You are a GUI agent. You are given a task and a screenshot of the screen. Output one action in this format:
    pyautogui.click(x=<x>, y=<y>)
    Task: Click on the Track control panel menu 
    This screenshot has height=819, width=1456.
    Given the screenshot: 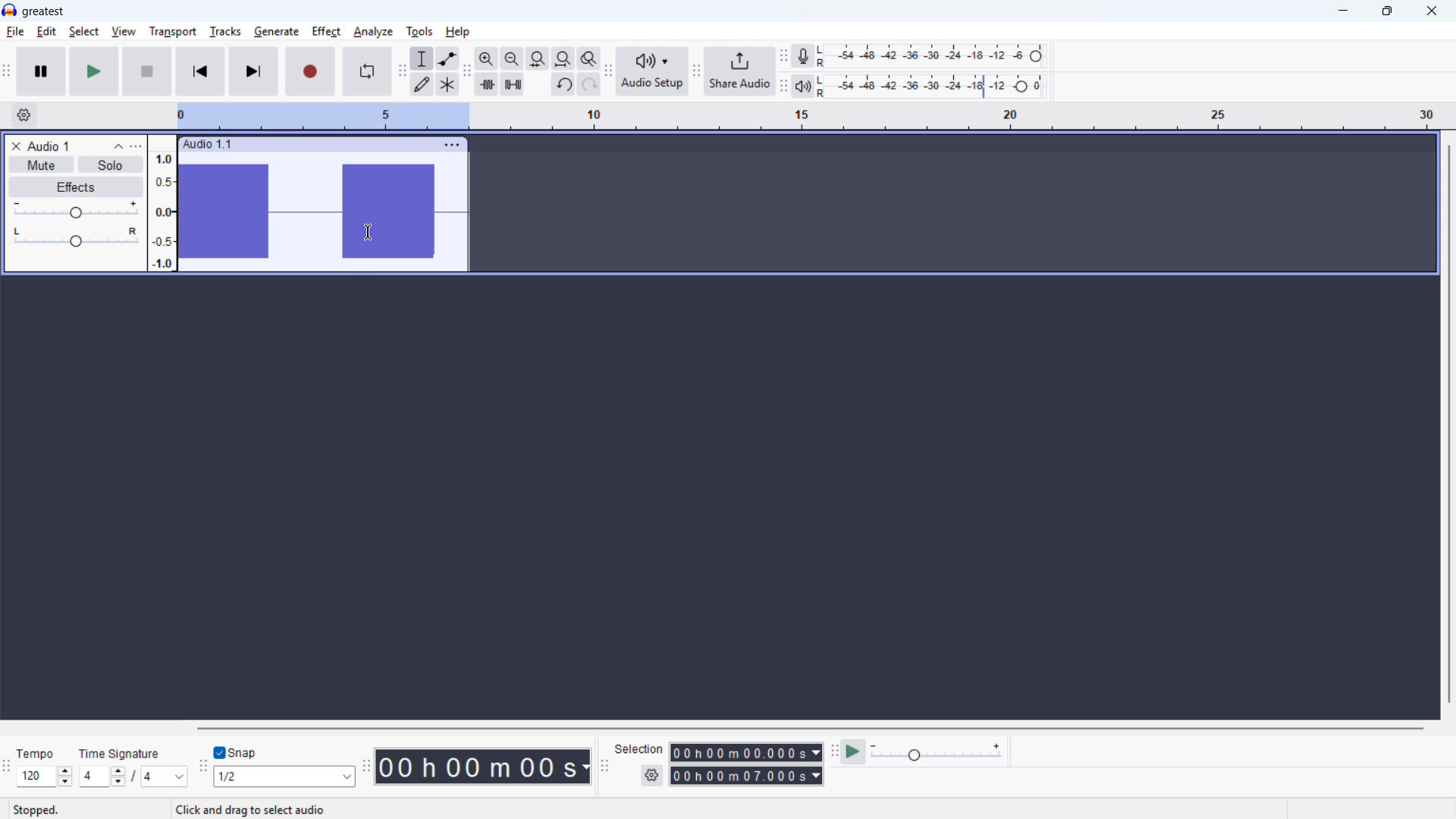 What is the action you would take?
    pyautogui.click(x=136, y=146)
    